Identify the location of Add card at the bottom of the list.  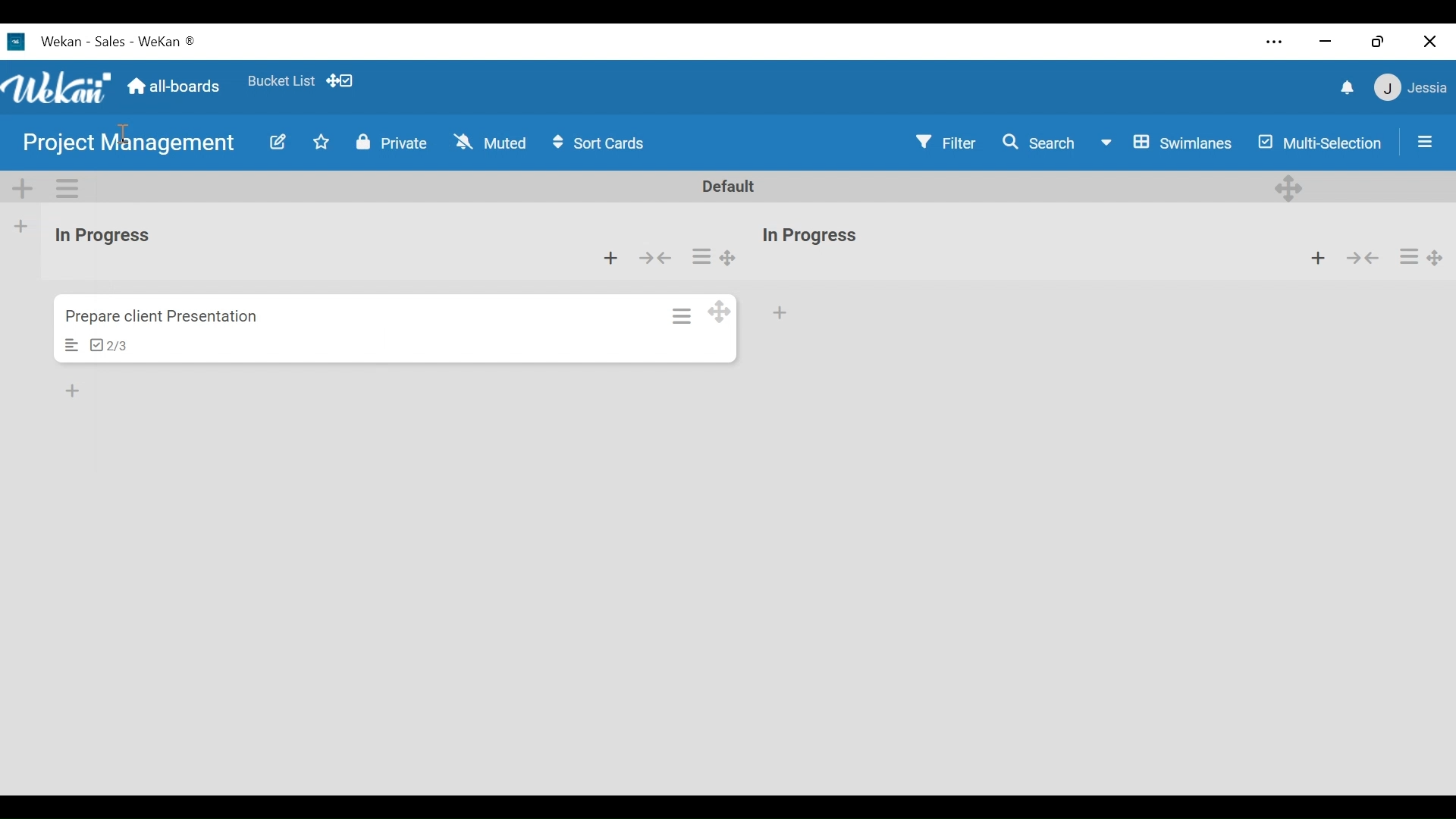
(780, 313).